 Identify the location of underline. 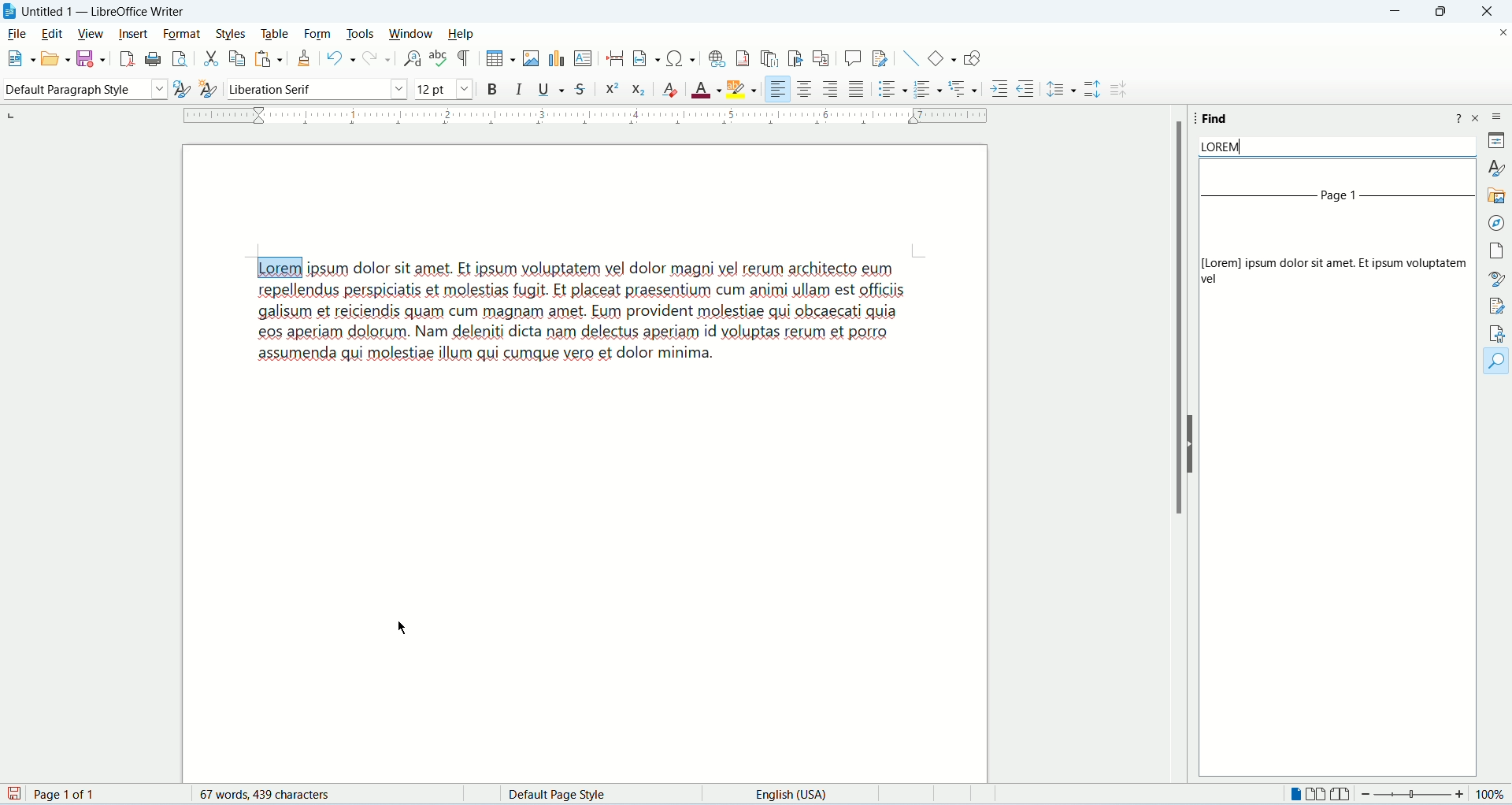
(550, 90).